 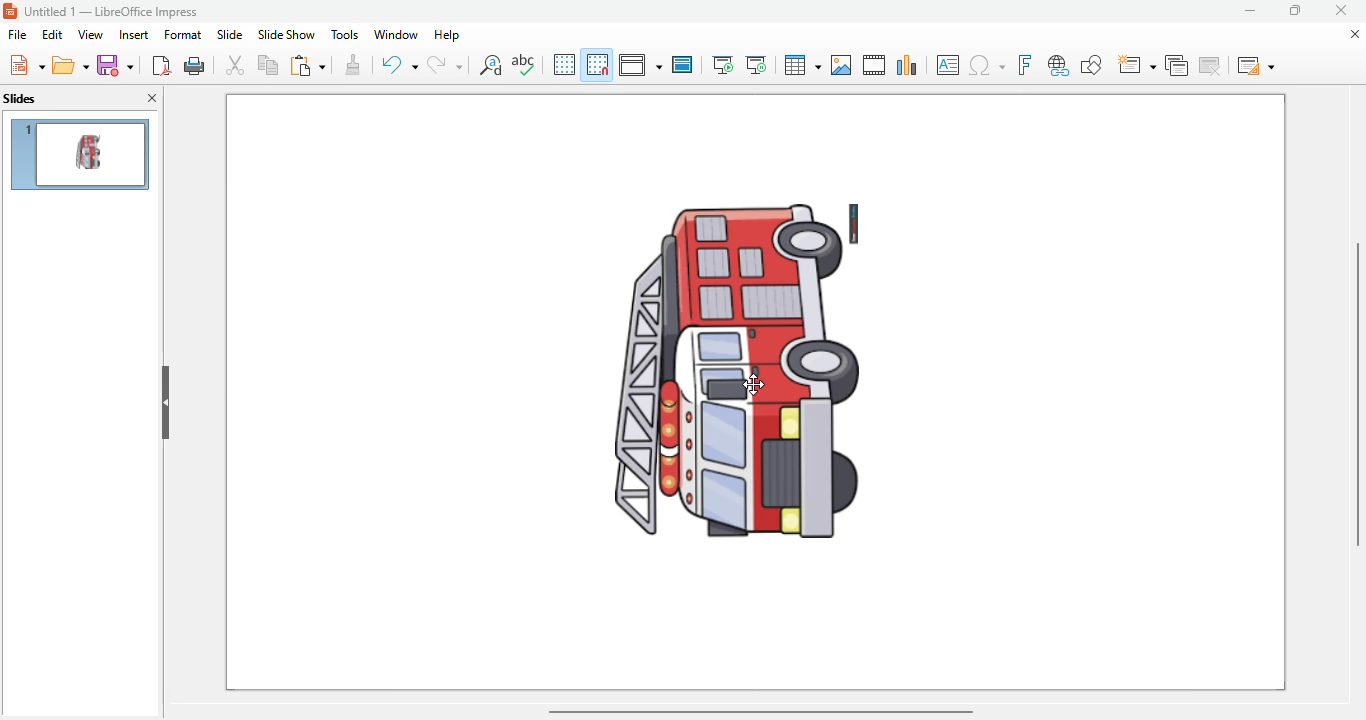 I want to click on title, so click(x=111, y=12).